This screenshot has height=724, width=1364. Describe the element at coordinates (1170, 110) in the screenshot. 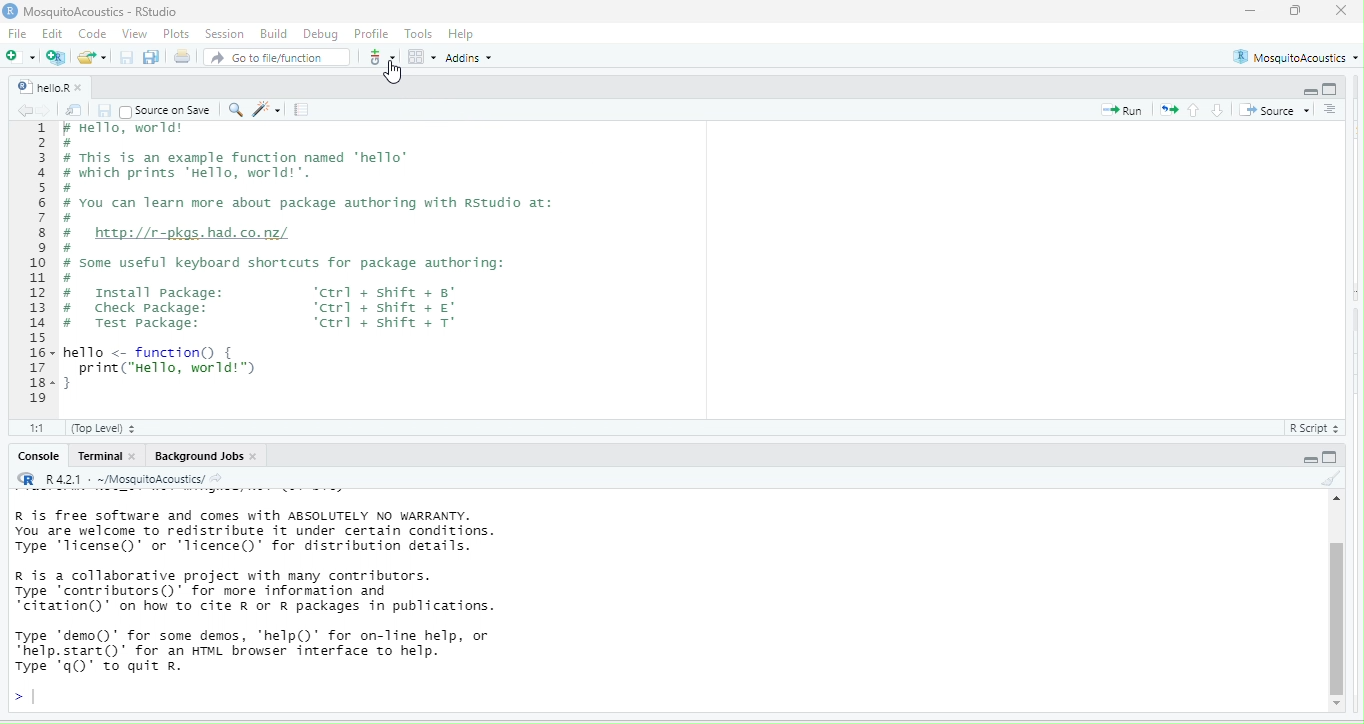

I see `re run the previous code` at that location.